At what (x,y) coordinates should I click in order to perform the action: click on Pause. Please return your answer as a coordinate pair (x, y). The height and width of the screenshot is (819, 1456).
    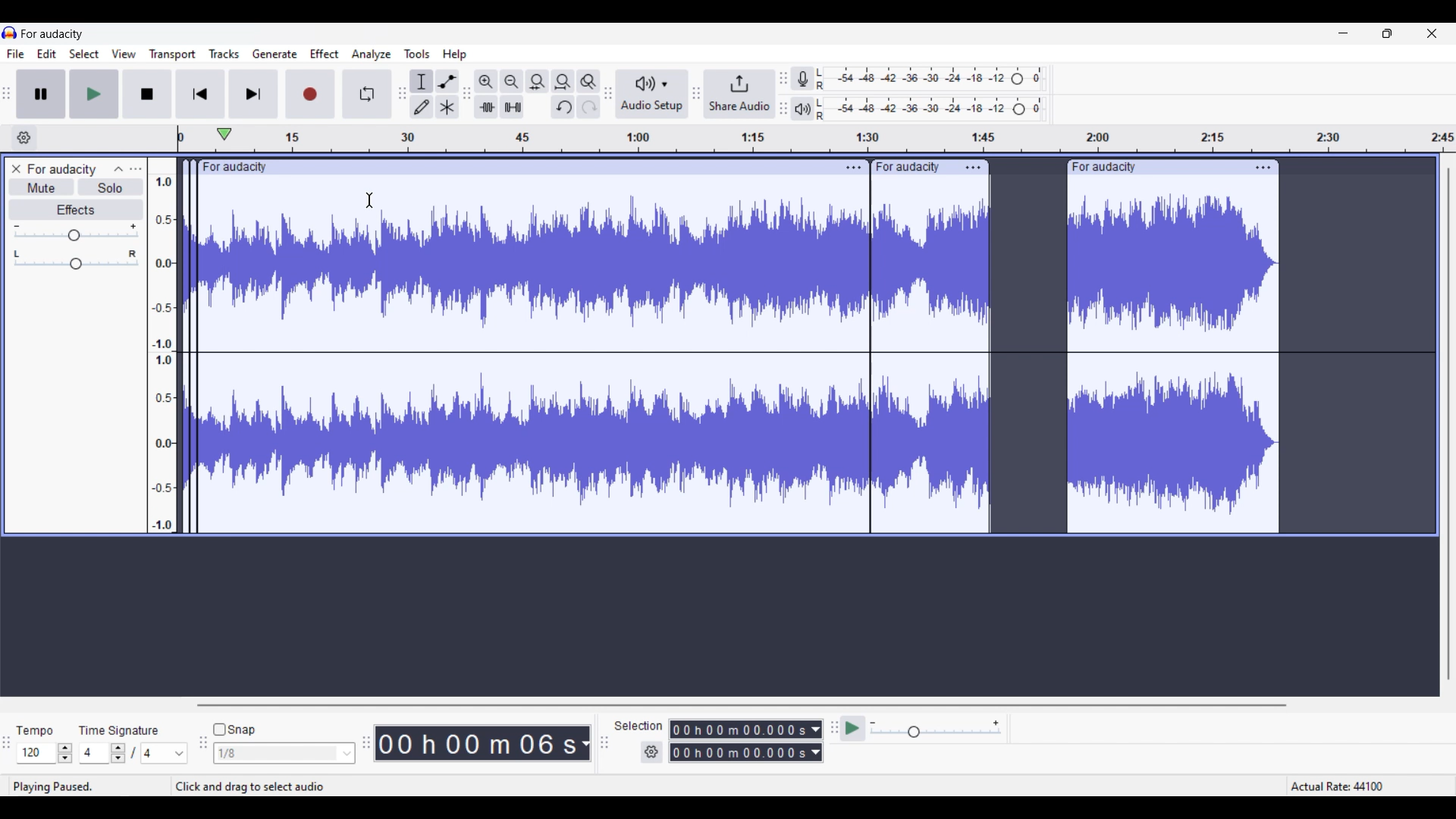
    Looking at the image, I should click on (39, 93).